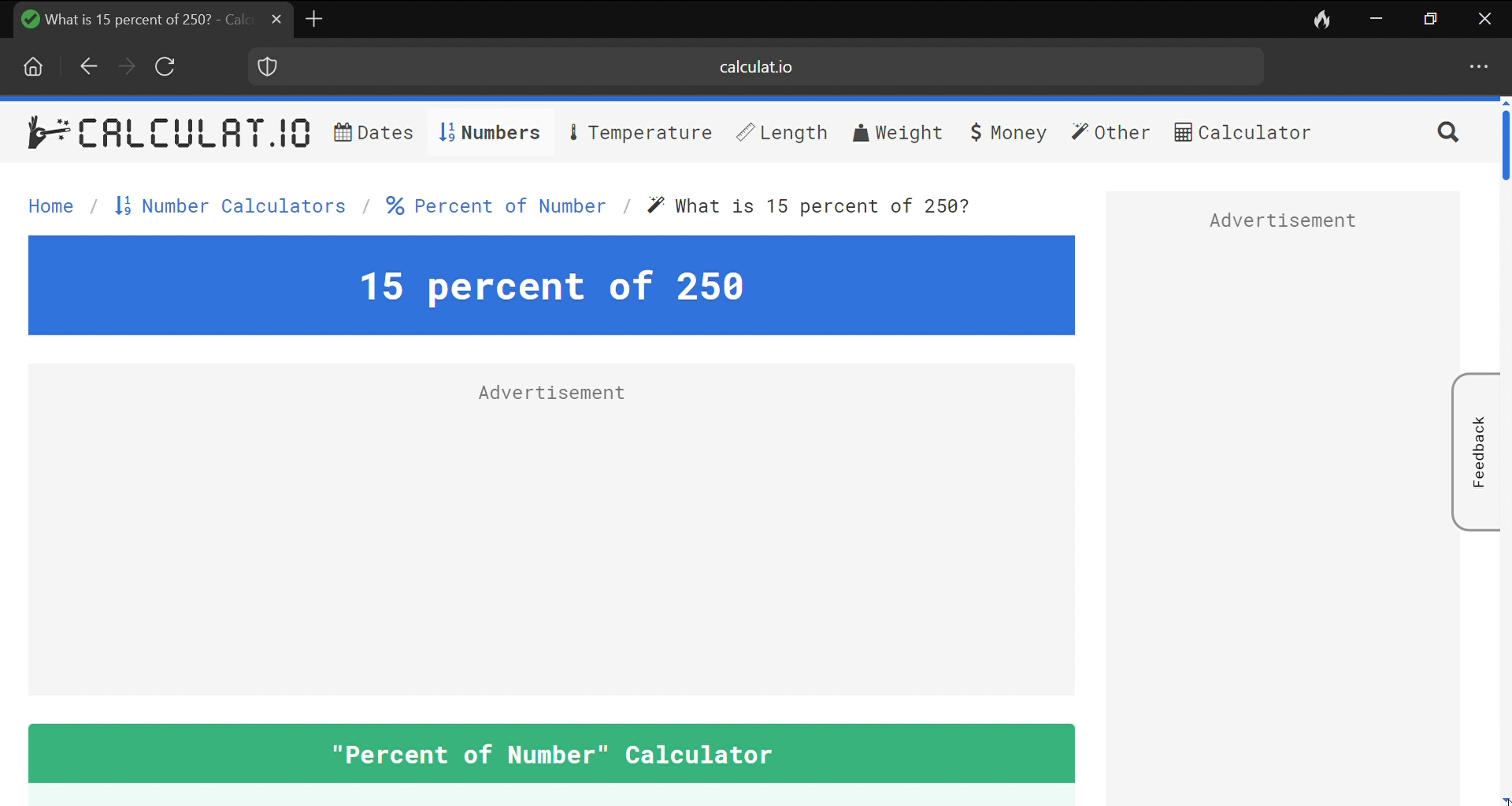 This screenshot has height=806, width=1512. What do you see at coordinates (487, 133) in the screenshot?
I see ` Numbers` at bounding box center [487, 133].